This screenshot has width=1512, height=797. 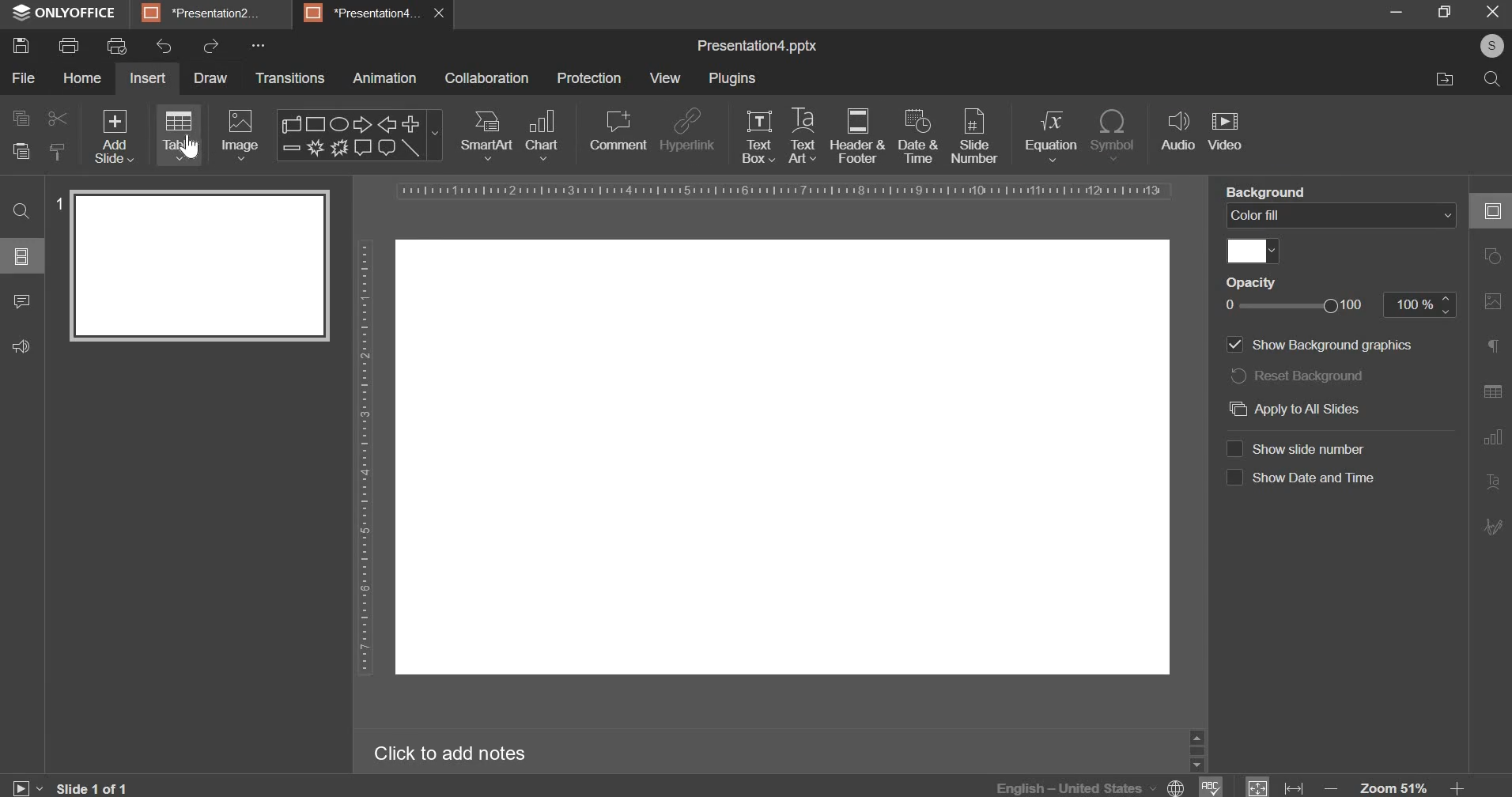 What do you see at coordinates (359, 13) in the screenshot?
I see `presentation4` at bounding box center [359, 13].